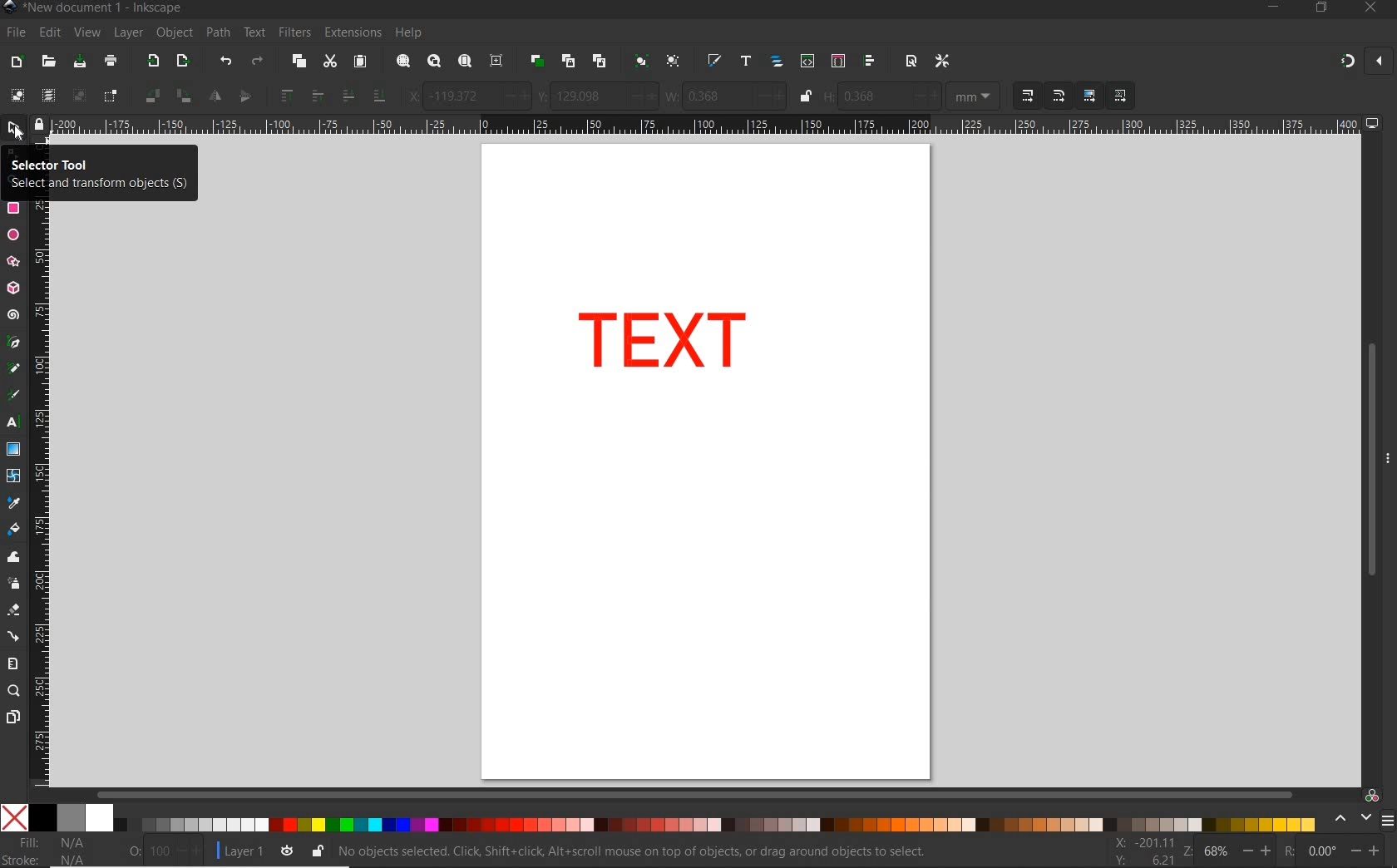 The image size is (1397, 868). I want to click on OPEN ALIGN AND DISTRIBUTE, so click(870, 61).